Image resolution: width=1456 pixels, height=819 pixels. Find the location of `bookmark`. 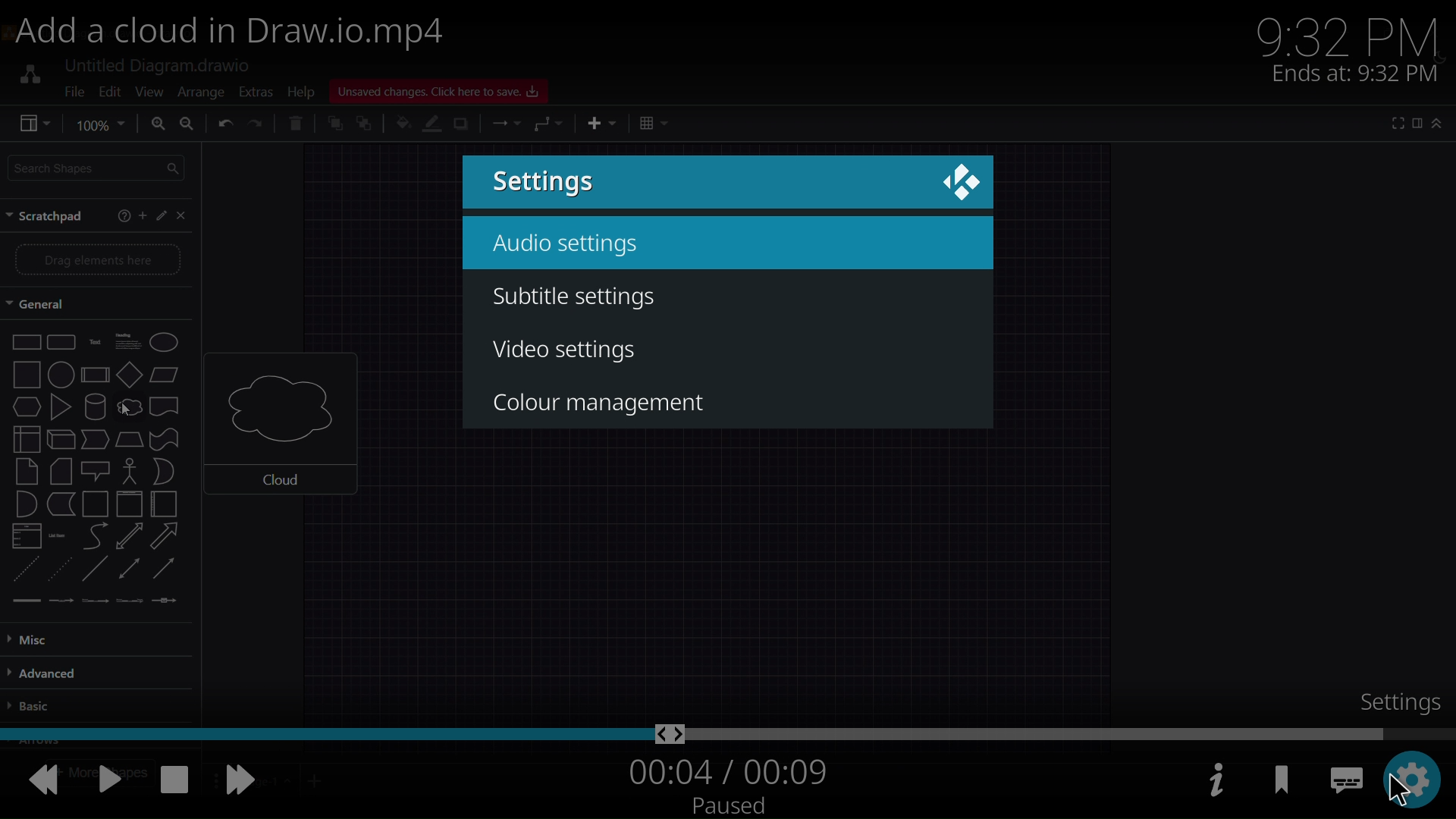

bookmark is located at coordinates (1285, 783).